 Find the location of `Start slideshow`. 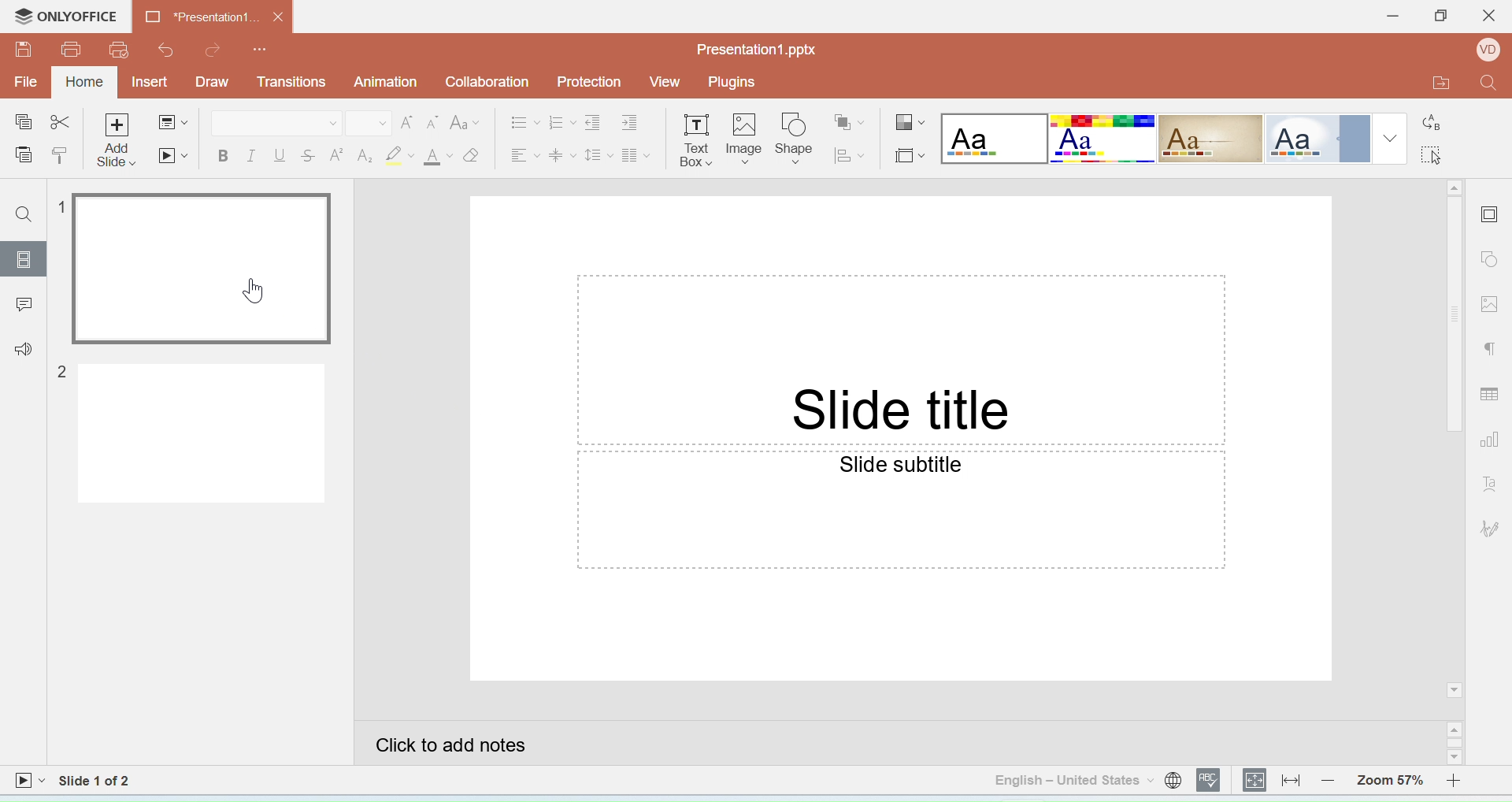

Start slideshow is located at coordinates (29, 782).